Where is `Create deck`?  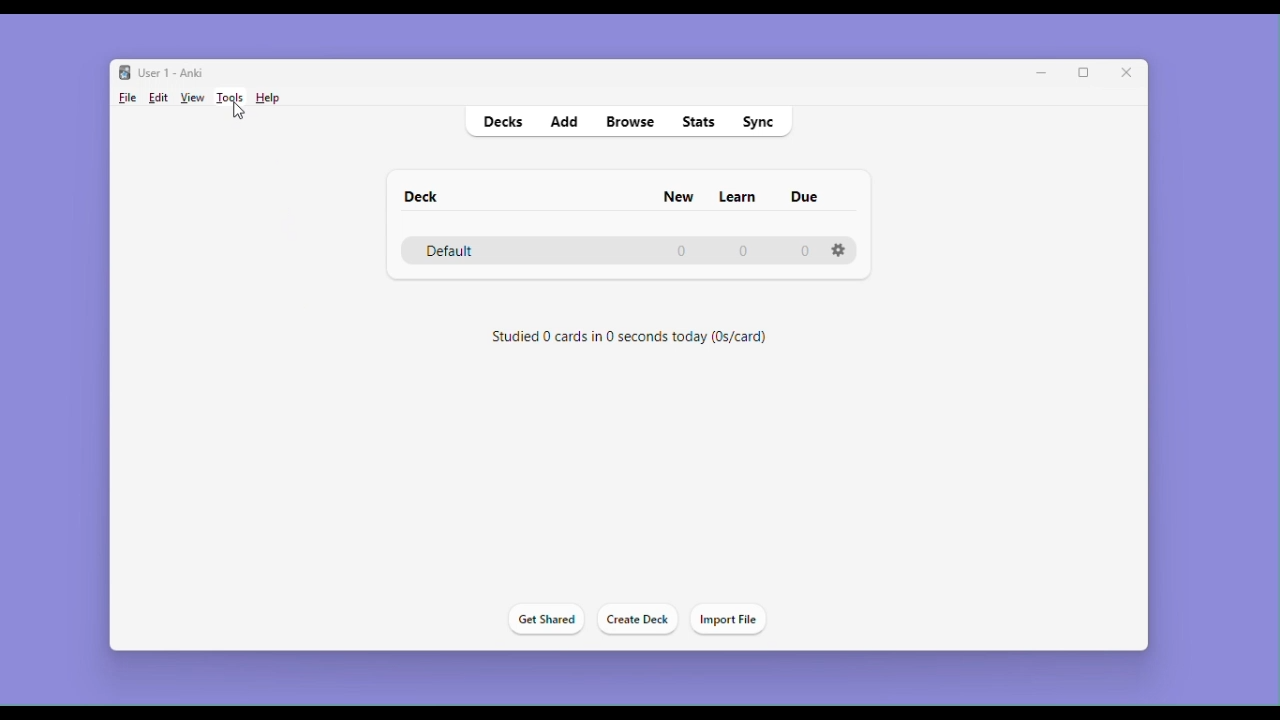
Create deck is located at coordinates (637, 621).